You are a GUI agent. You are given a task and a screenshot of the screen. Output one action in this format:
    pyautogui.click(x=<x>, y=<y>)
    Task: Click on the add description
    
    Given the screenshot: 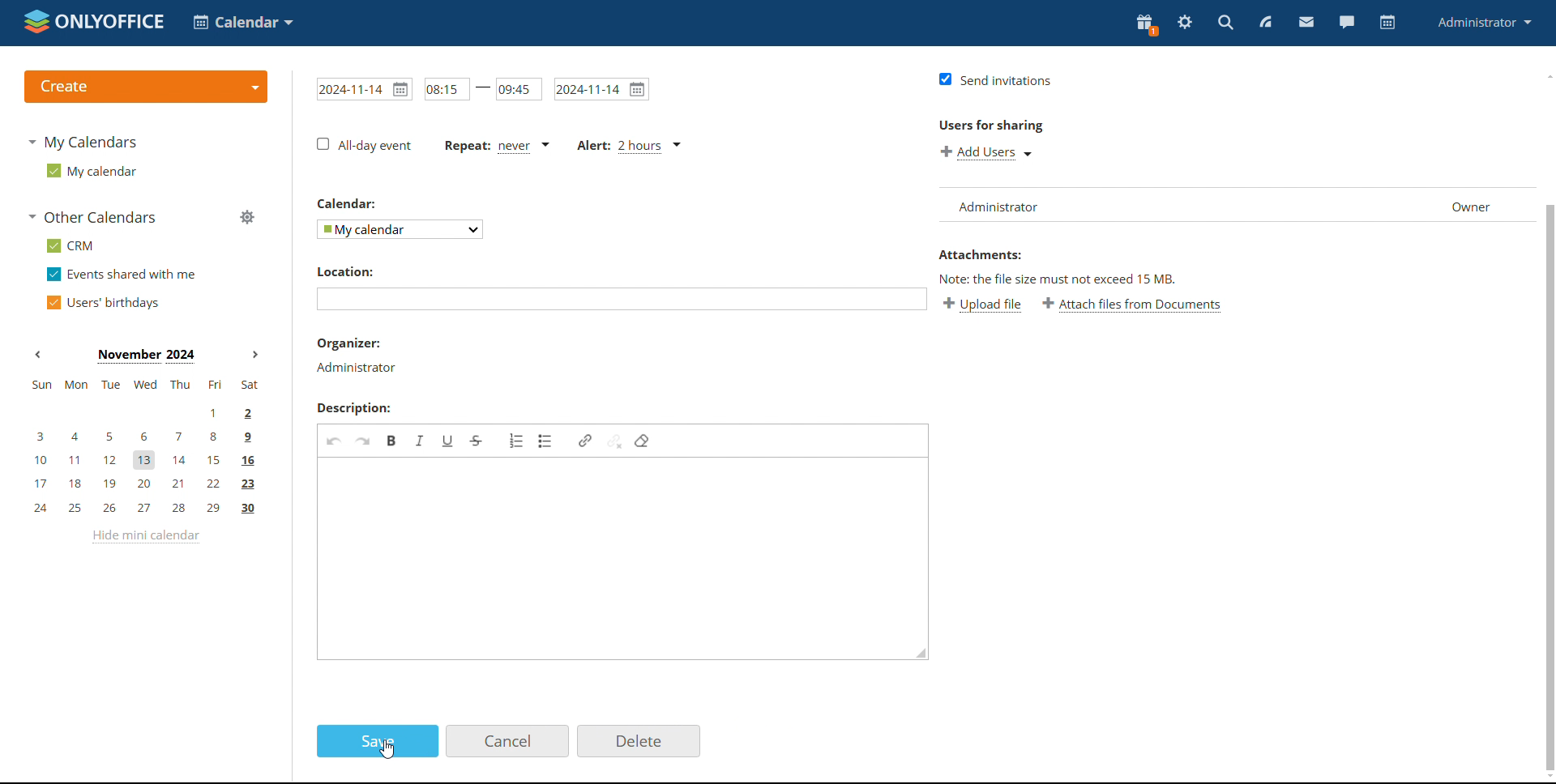 What is the action you would take?
    pyautogui.click(x=619, y=562)
    